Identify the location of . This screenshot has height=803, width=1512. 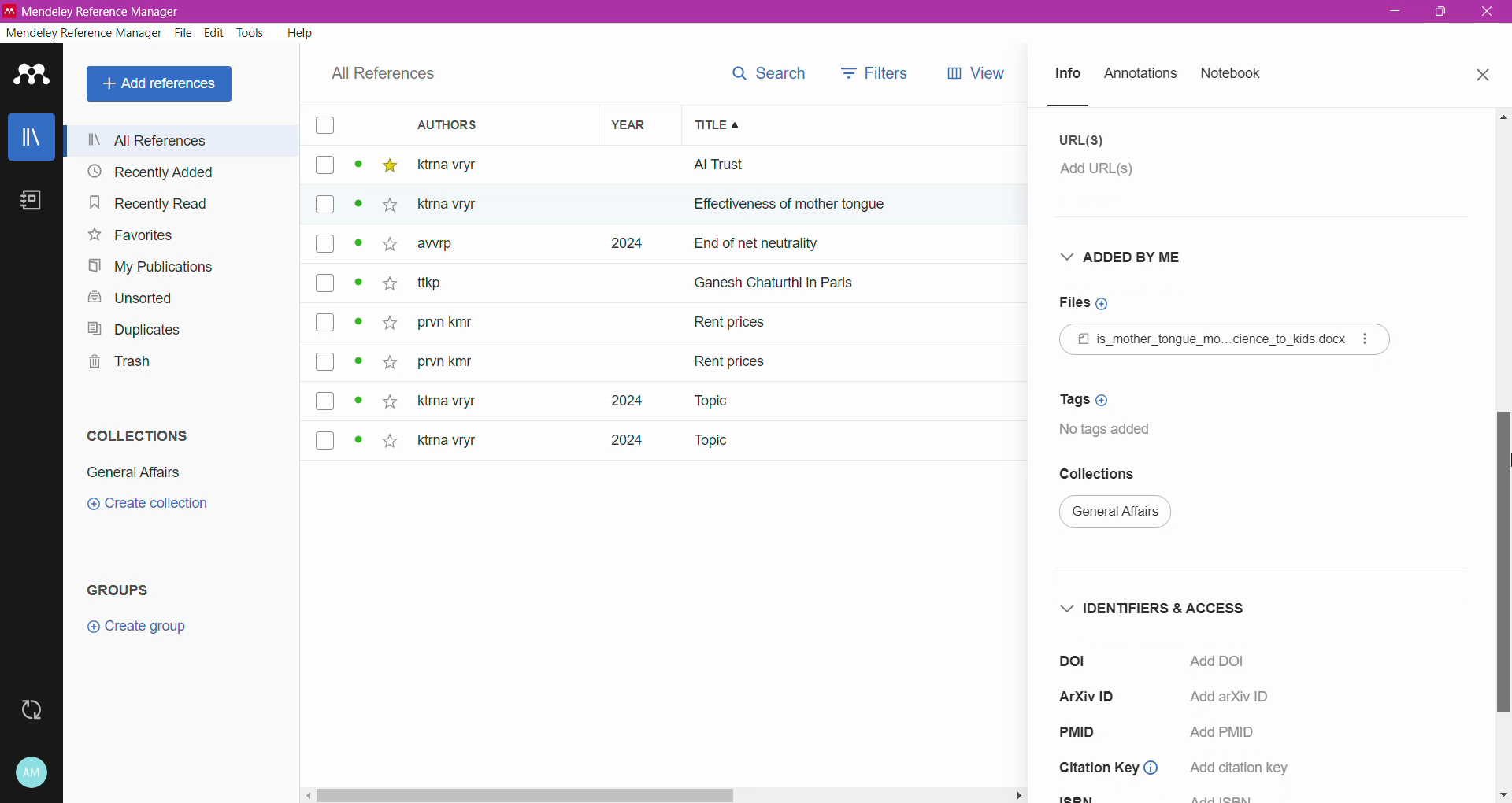
(1077, 661).